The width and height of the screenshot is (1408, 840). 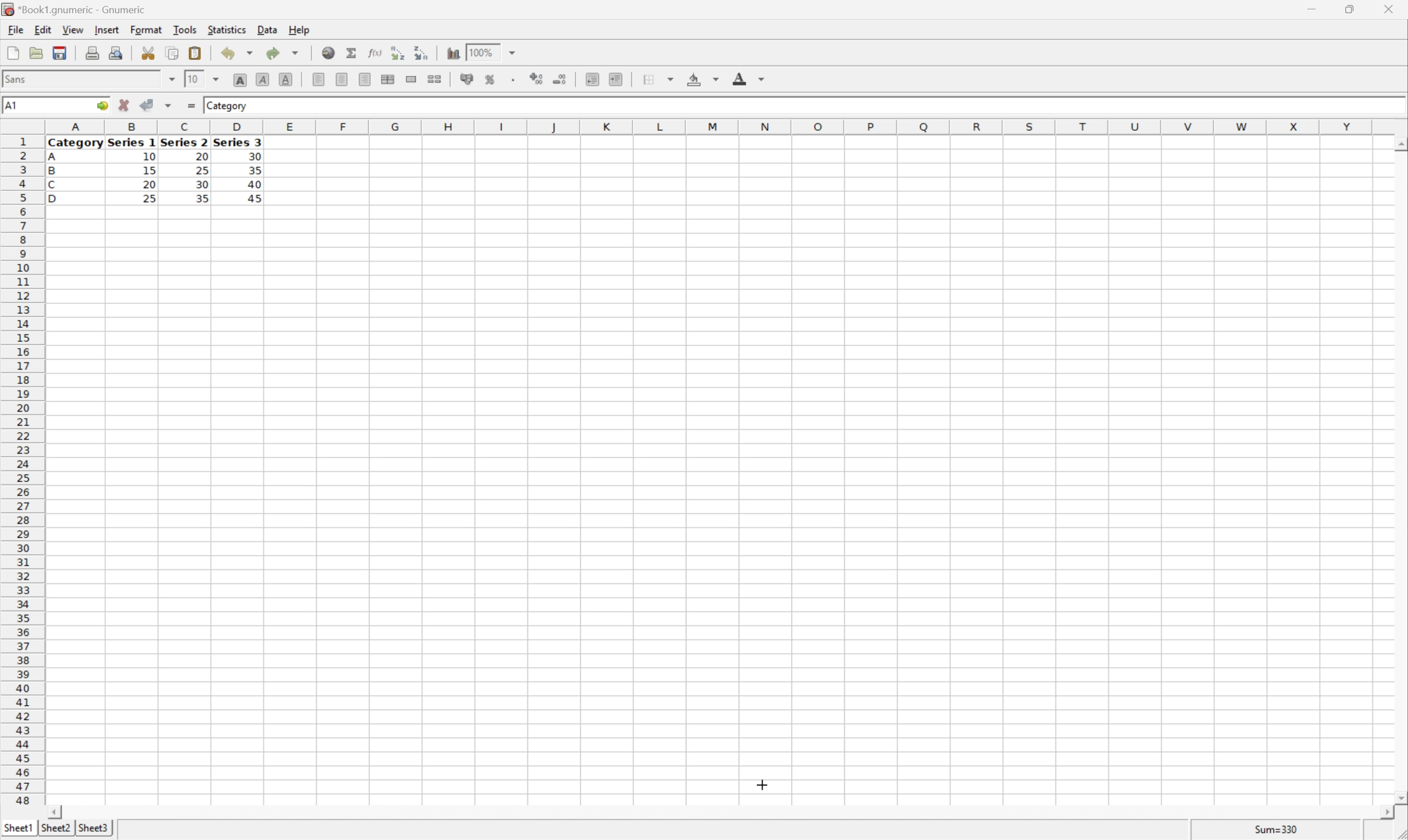 I want to click on 45, so click(x=260, y=199).